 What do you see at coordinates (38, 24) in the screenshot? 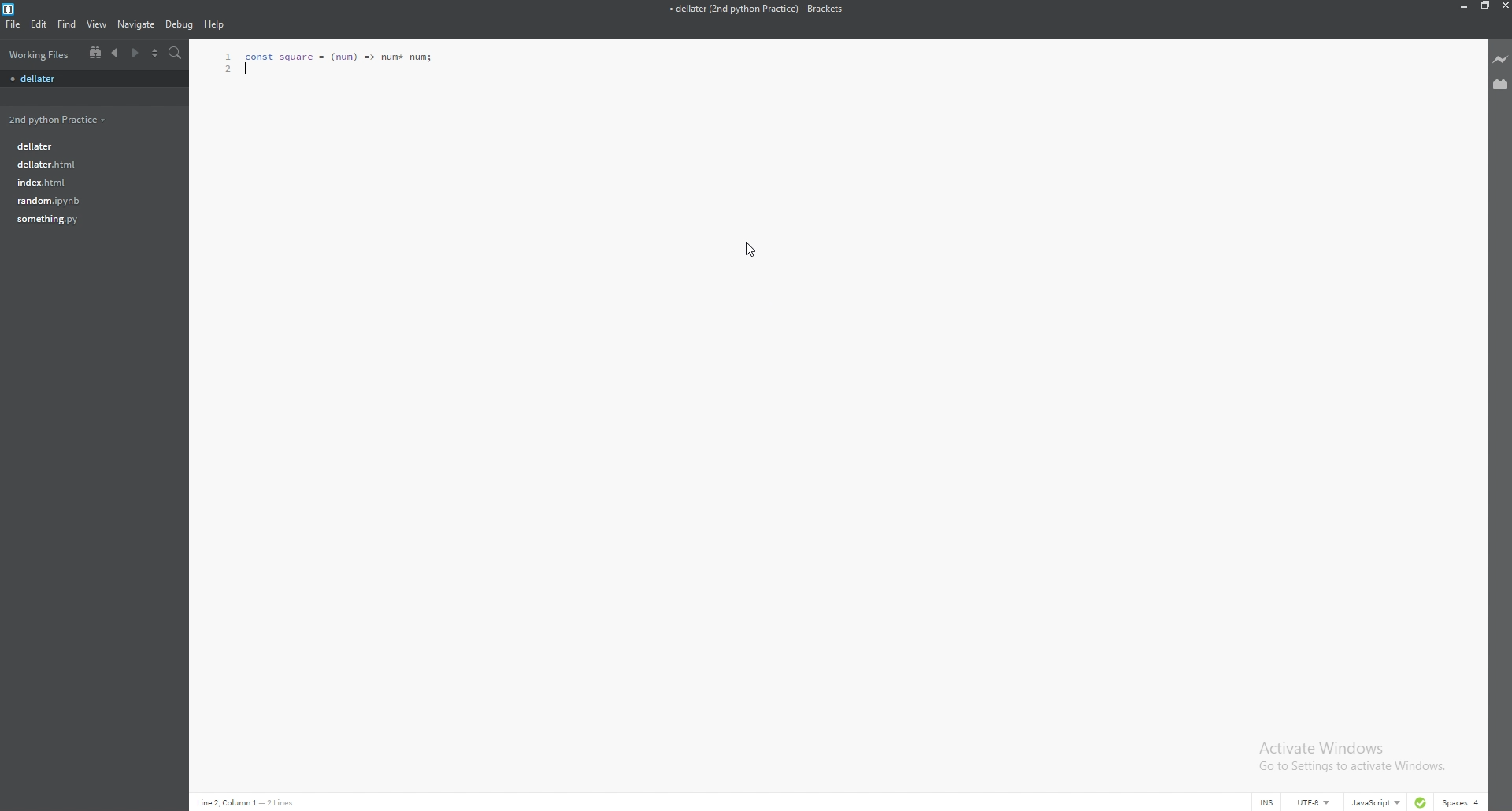
I see `edit` at bounding box center [38, 24].